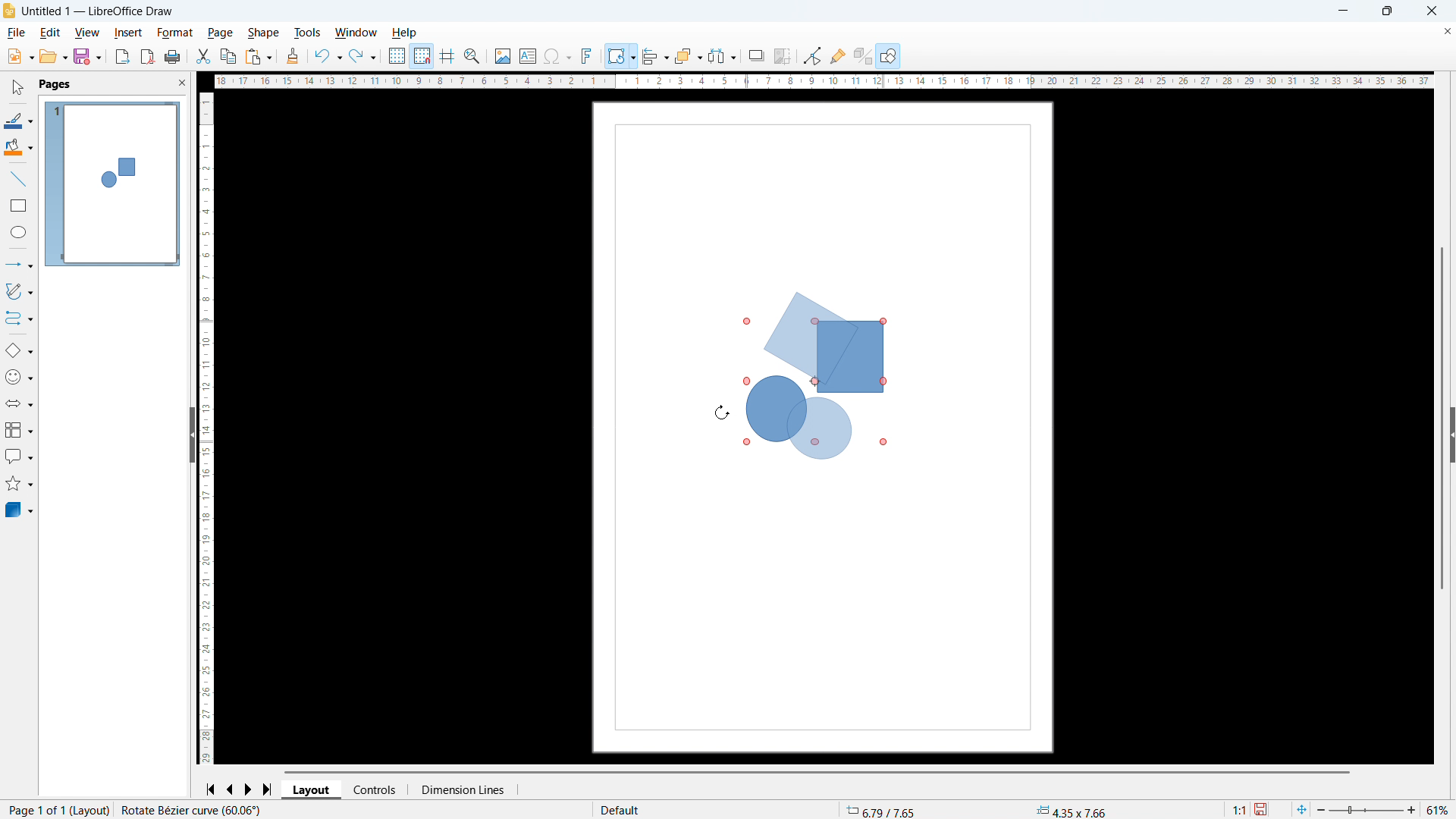  What do you see at coordinates (250, 789) in the screenshot?
I see `Next page ` at bounding box center [250, 789].